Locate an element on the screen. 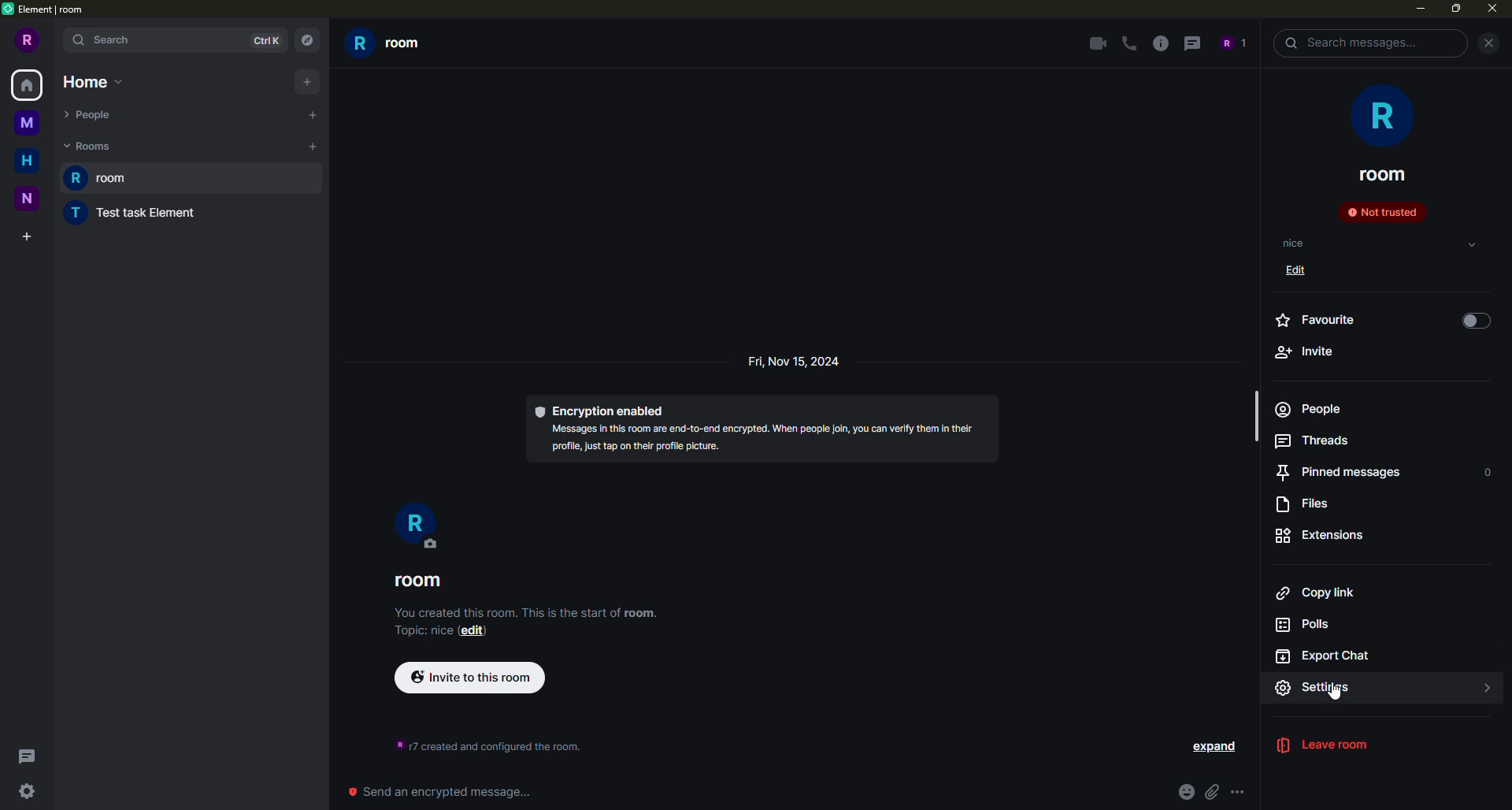  text is located at coordinates (525, 622).